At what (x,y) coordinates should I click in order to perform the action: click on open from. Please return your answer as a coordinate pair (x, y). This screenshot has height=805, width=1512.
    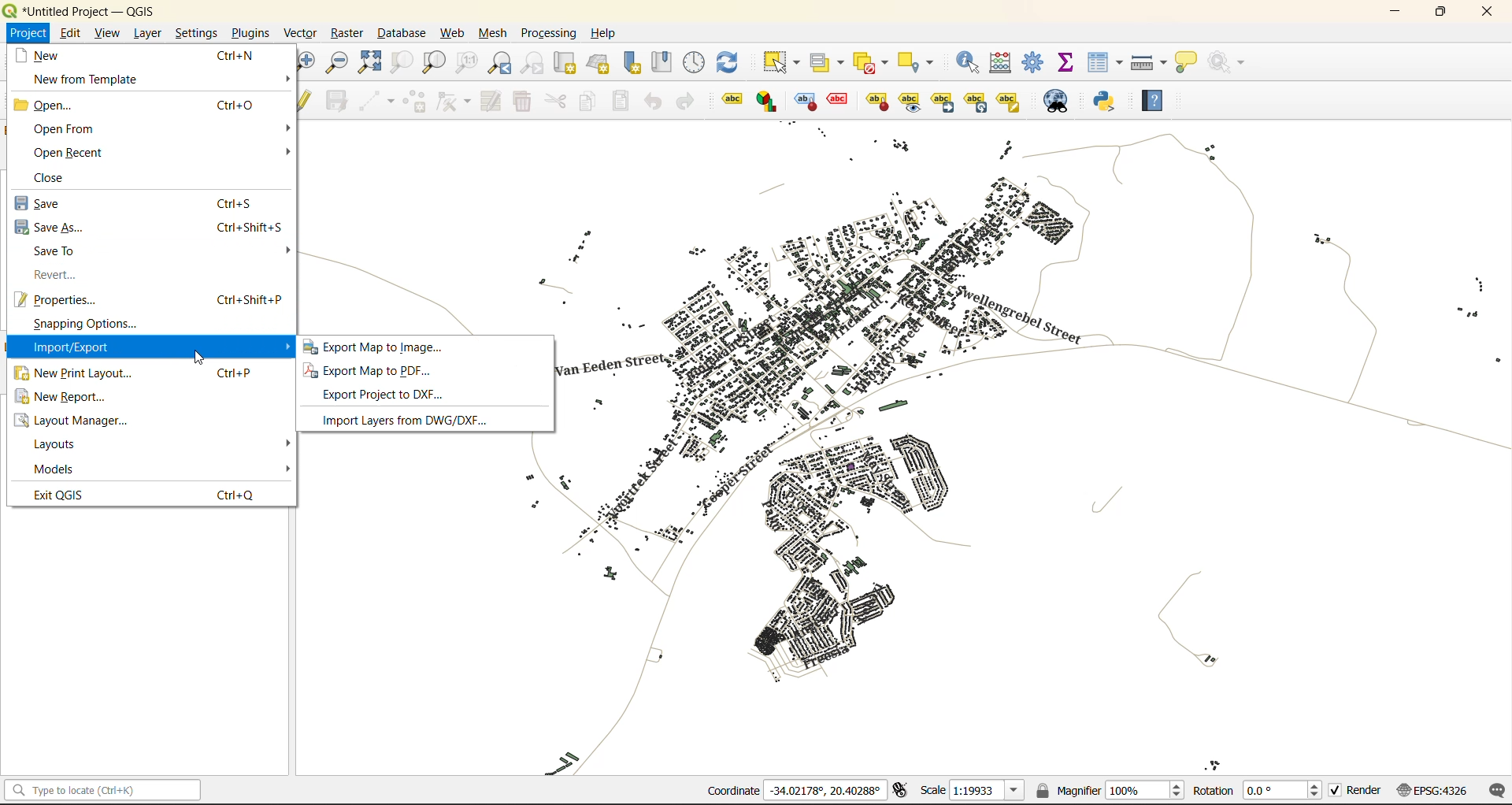
    Looking at the image, I should click on (63, 128).